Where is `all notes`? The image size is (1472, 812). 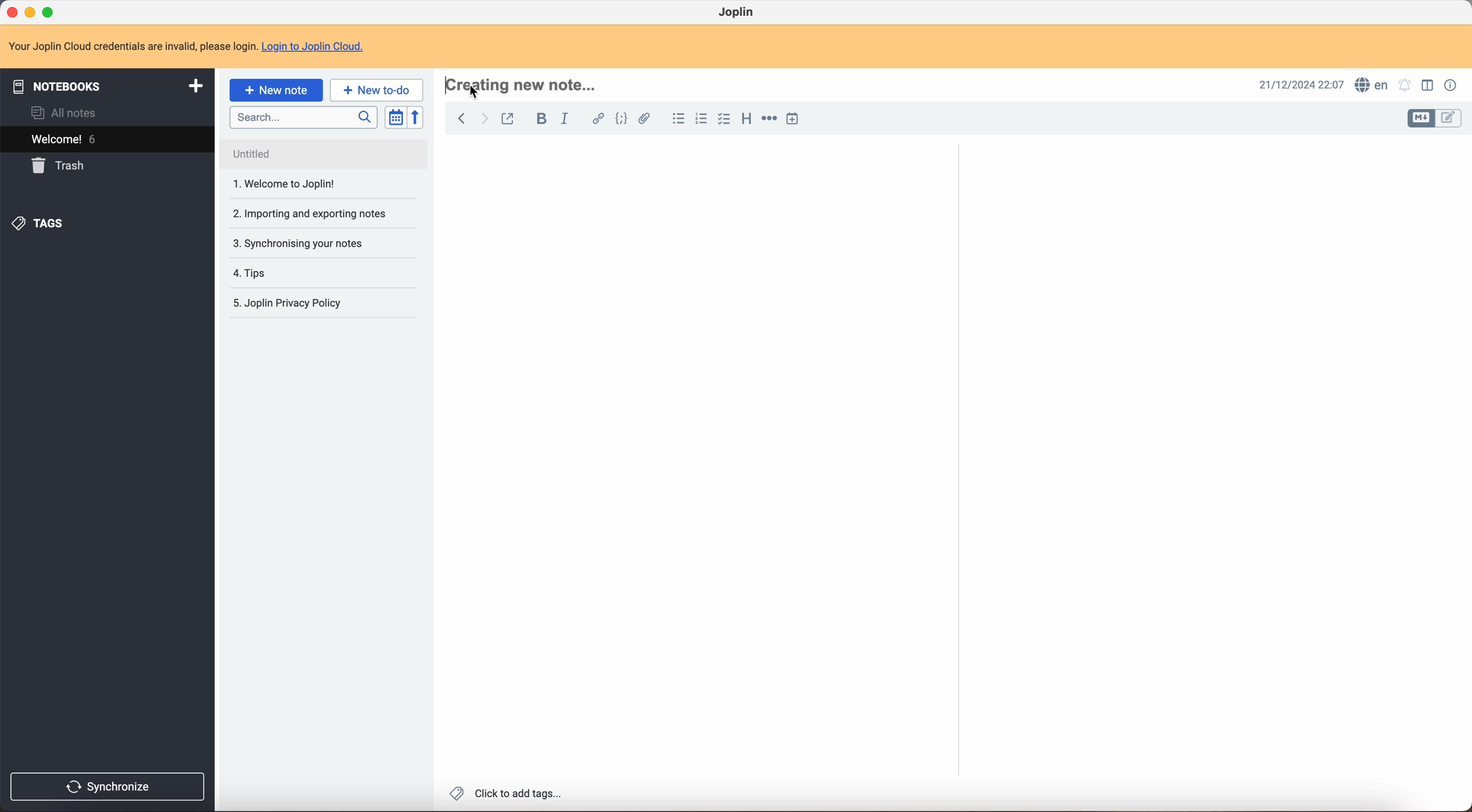 all notes is located at coordinates (62, 113).